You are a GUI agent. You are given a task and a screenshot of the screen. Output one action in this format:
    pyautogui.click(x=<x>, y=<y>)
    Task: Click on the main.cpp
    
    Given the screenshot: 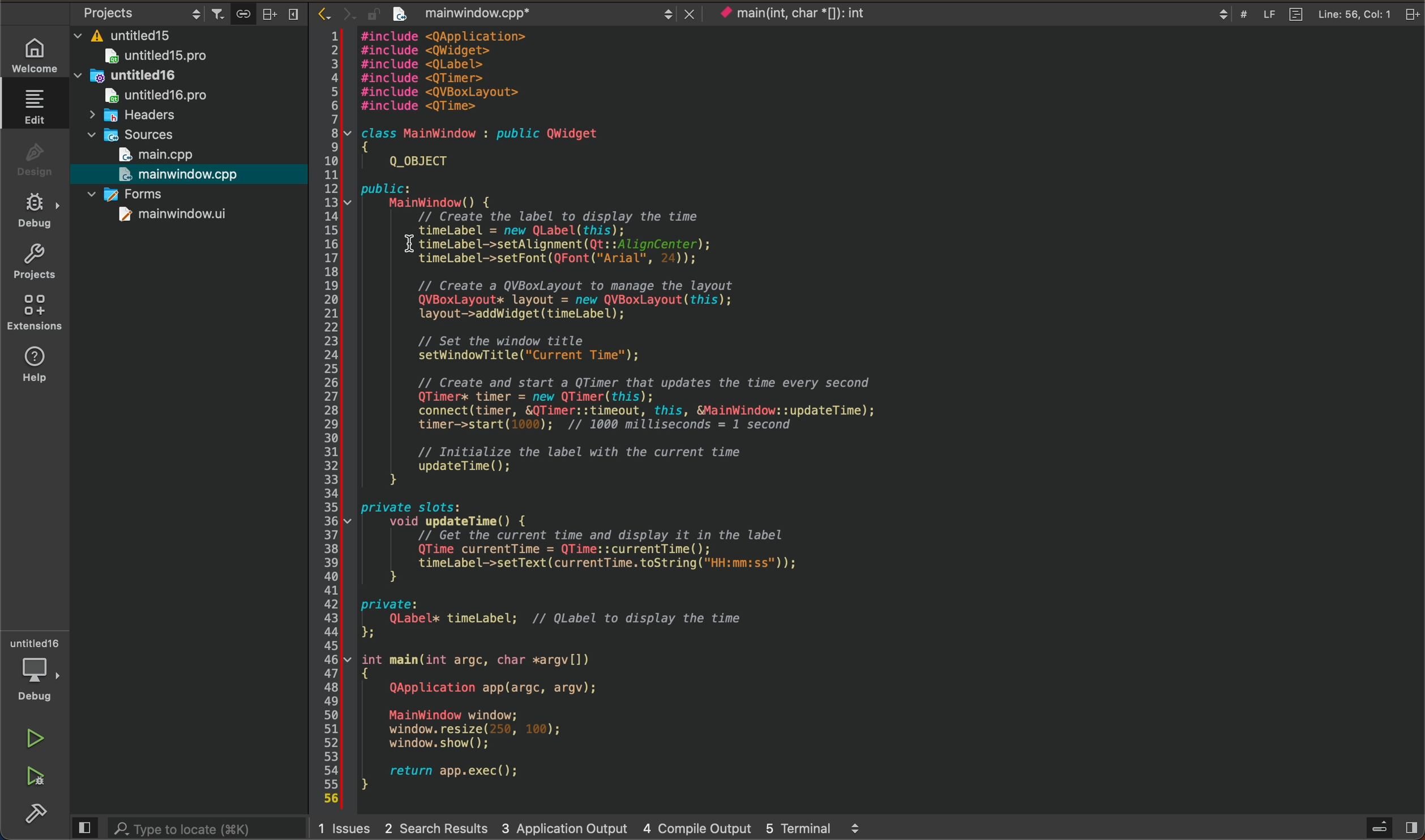 What is the action you would take?
    pyautogui.click(x=181, y=155)
    